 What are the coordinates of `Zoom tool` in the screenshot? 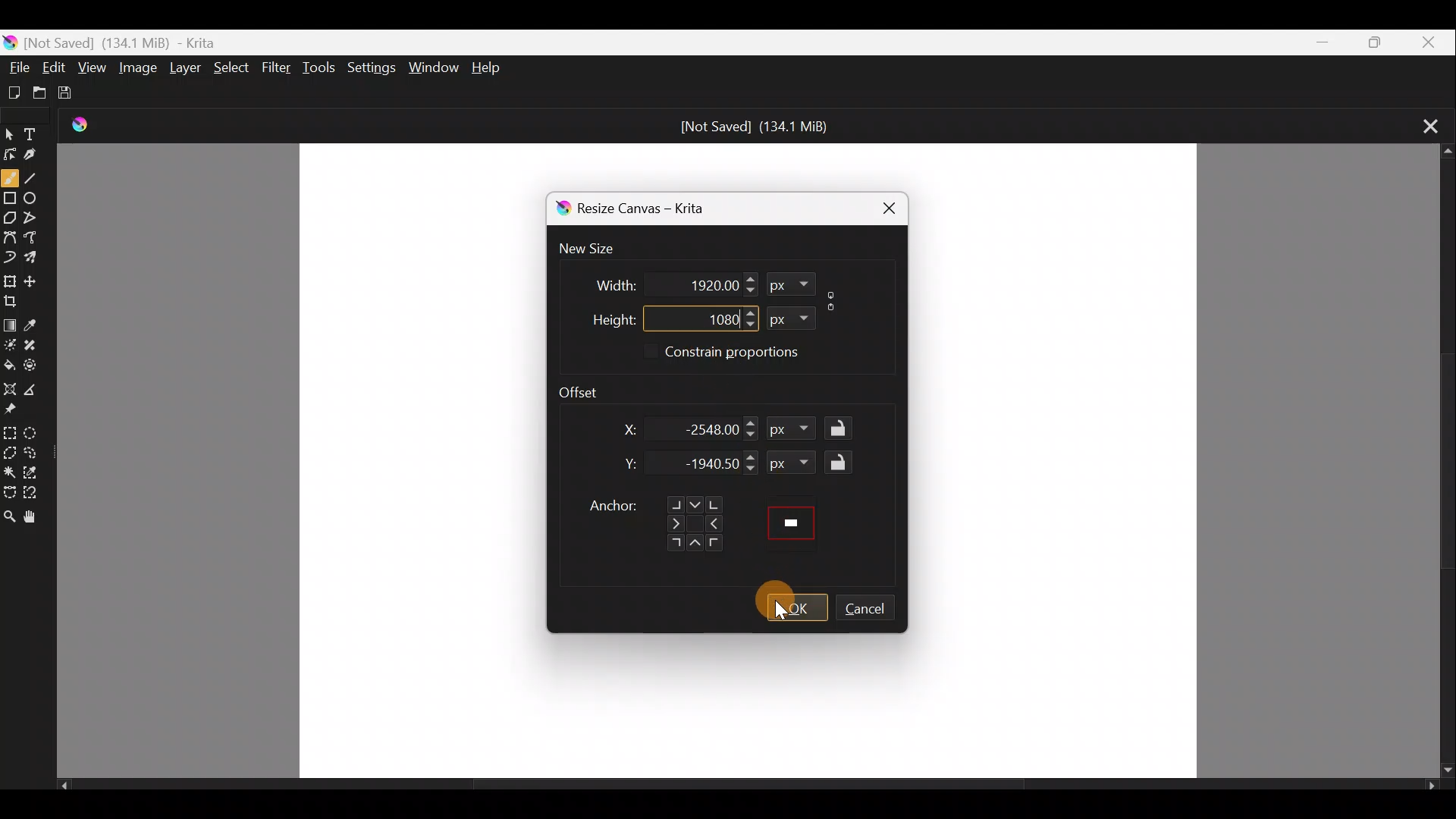 It's located at (9, 517).